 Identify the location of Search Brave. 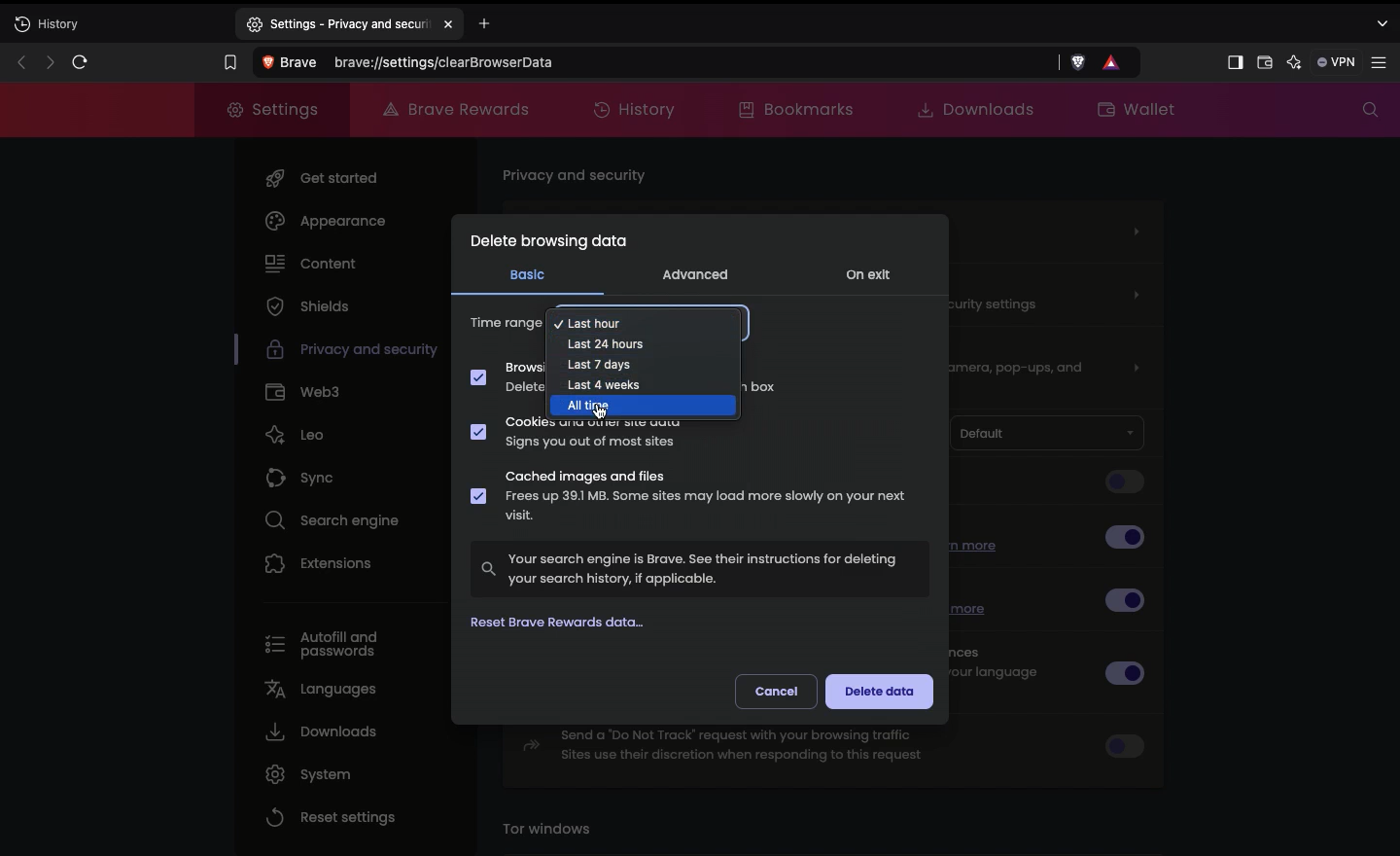
(652, 62).